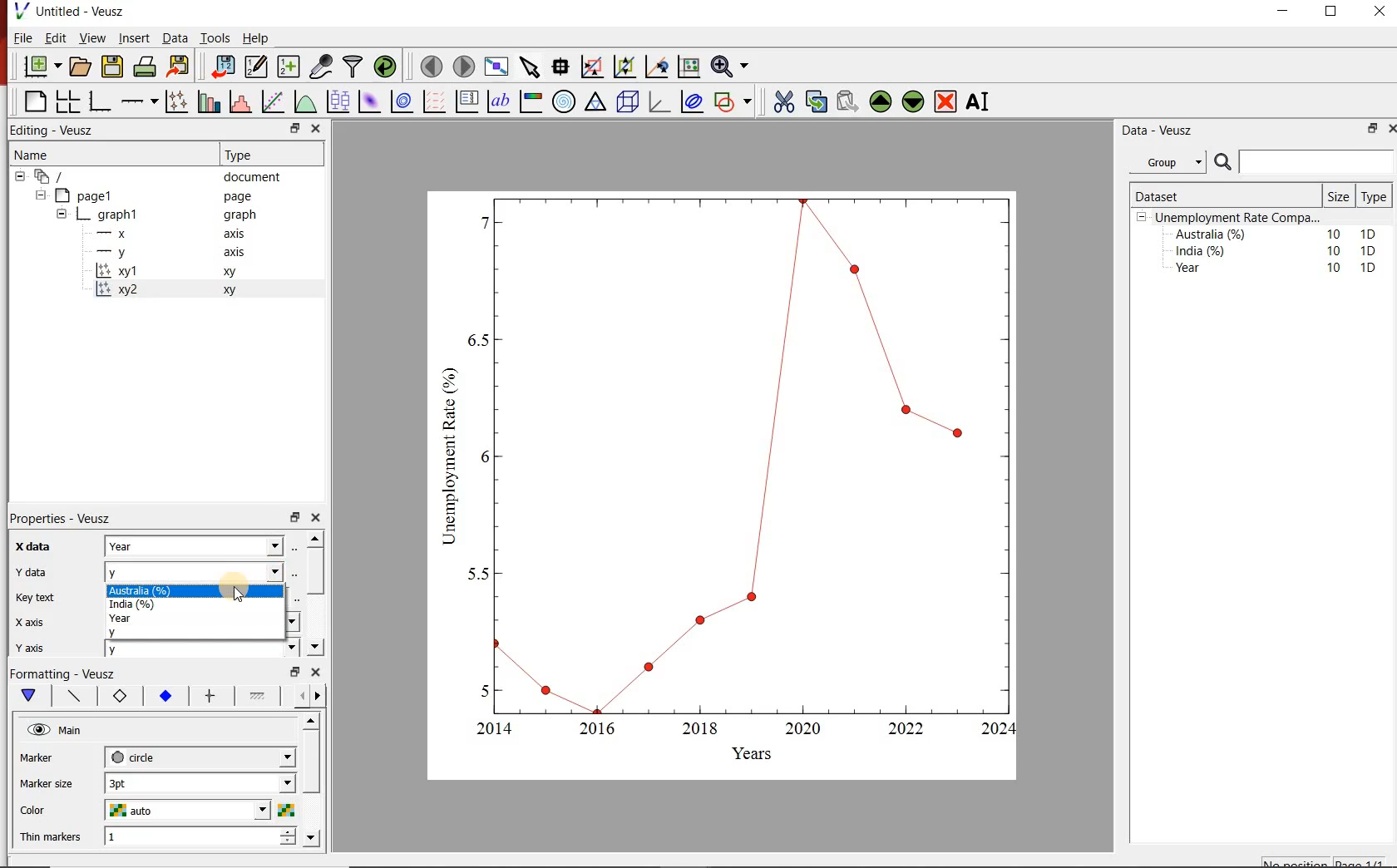  I want to click on minimise, so click(1371, 128).